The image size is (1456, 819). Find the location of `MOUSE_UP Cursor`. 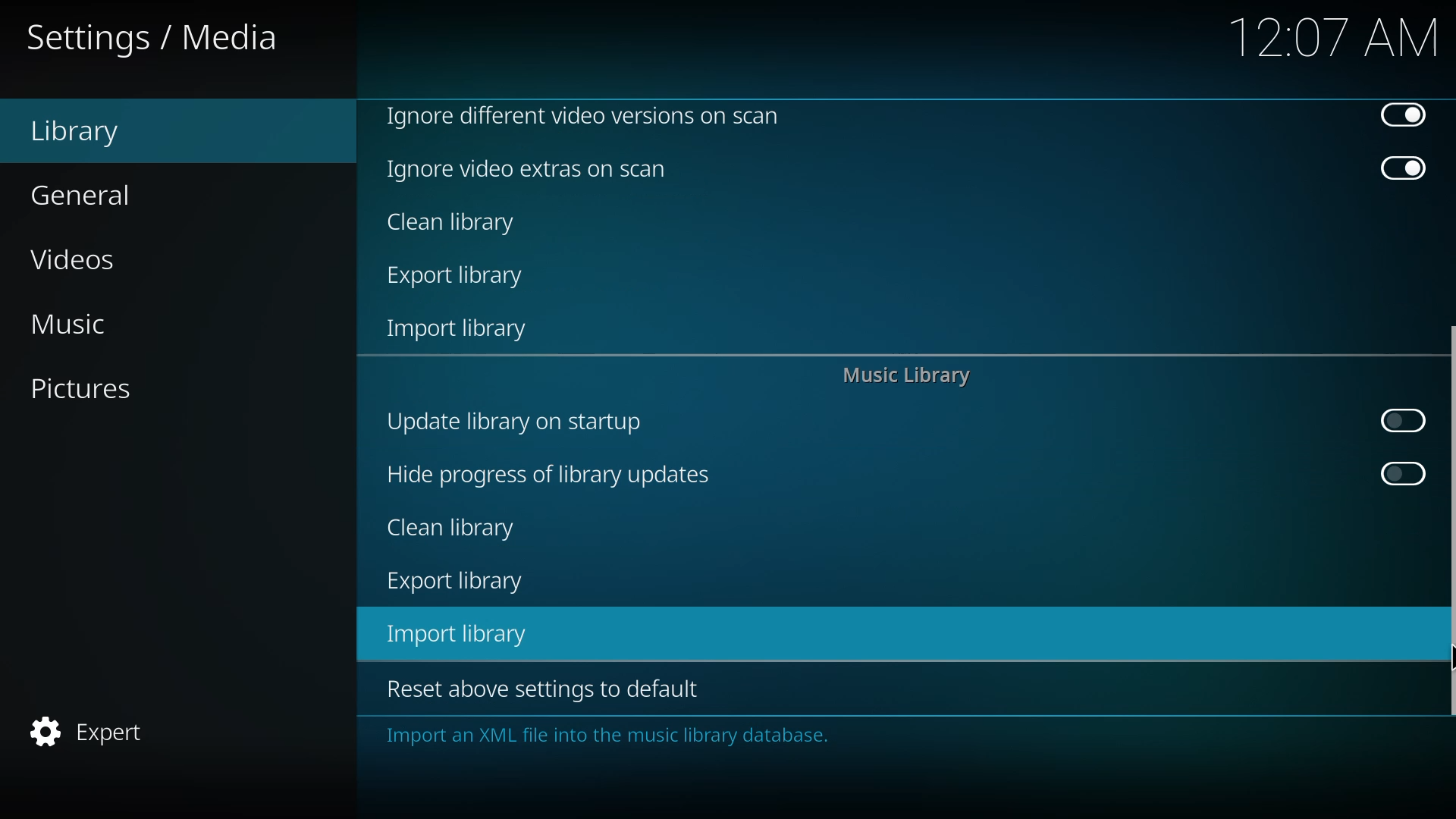

MOUSE_UP Cursor is located at coordinates (1448, 651).